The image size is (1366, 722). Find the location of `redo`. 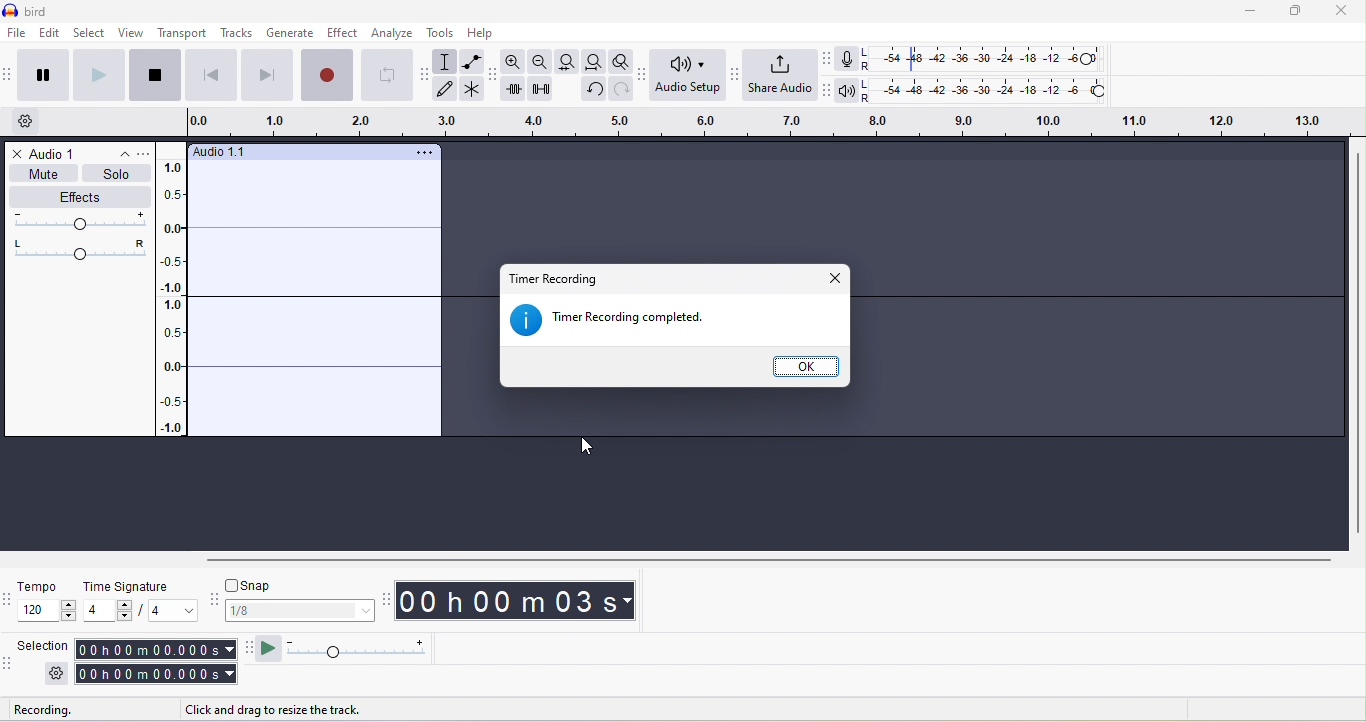

redo is located at coordinates (623, 89).